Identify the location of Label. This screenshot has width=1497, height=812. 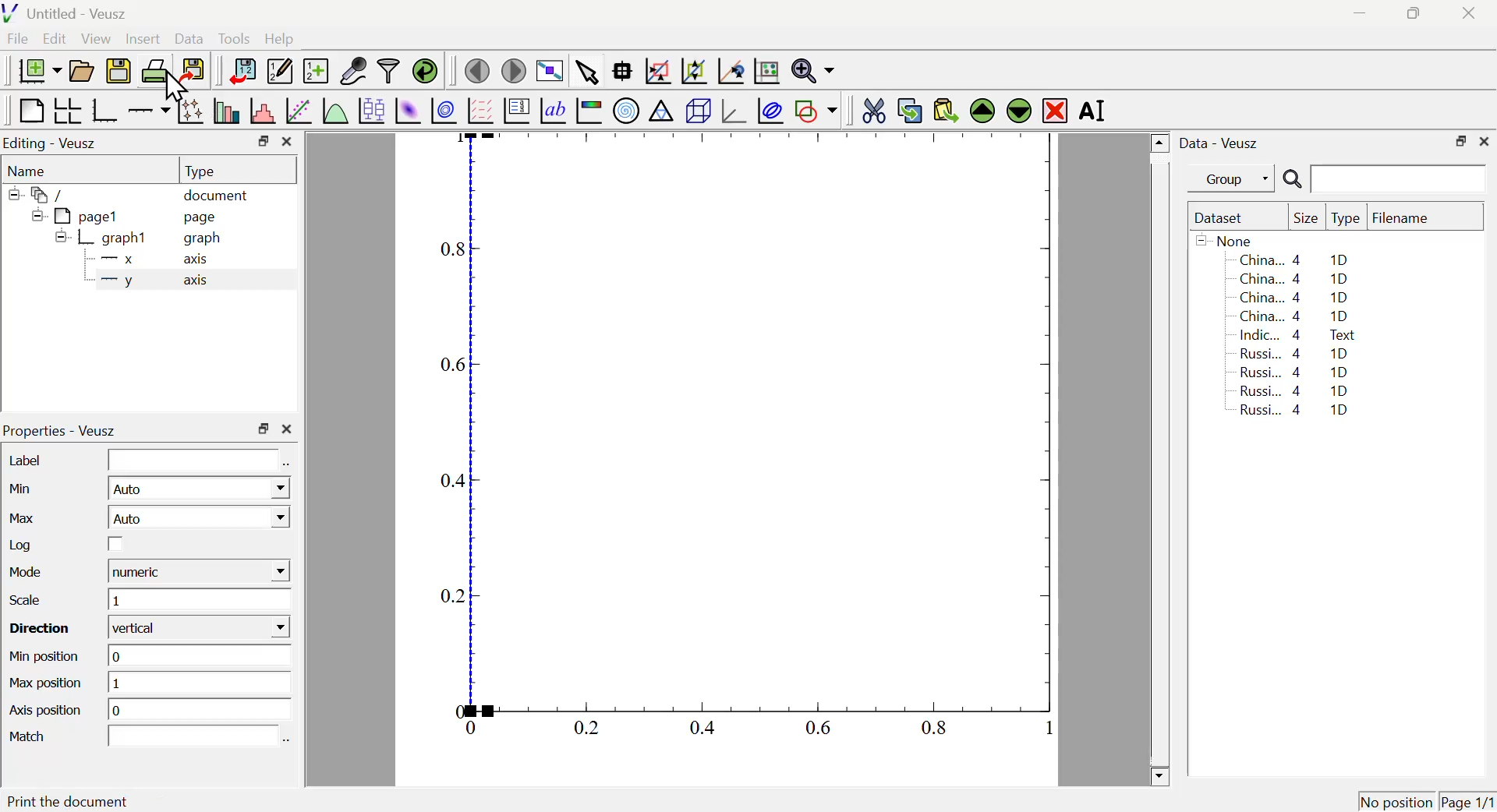
(27, 460).